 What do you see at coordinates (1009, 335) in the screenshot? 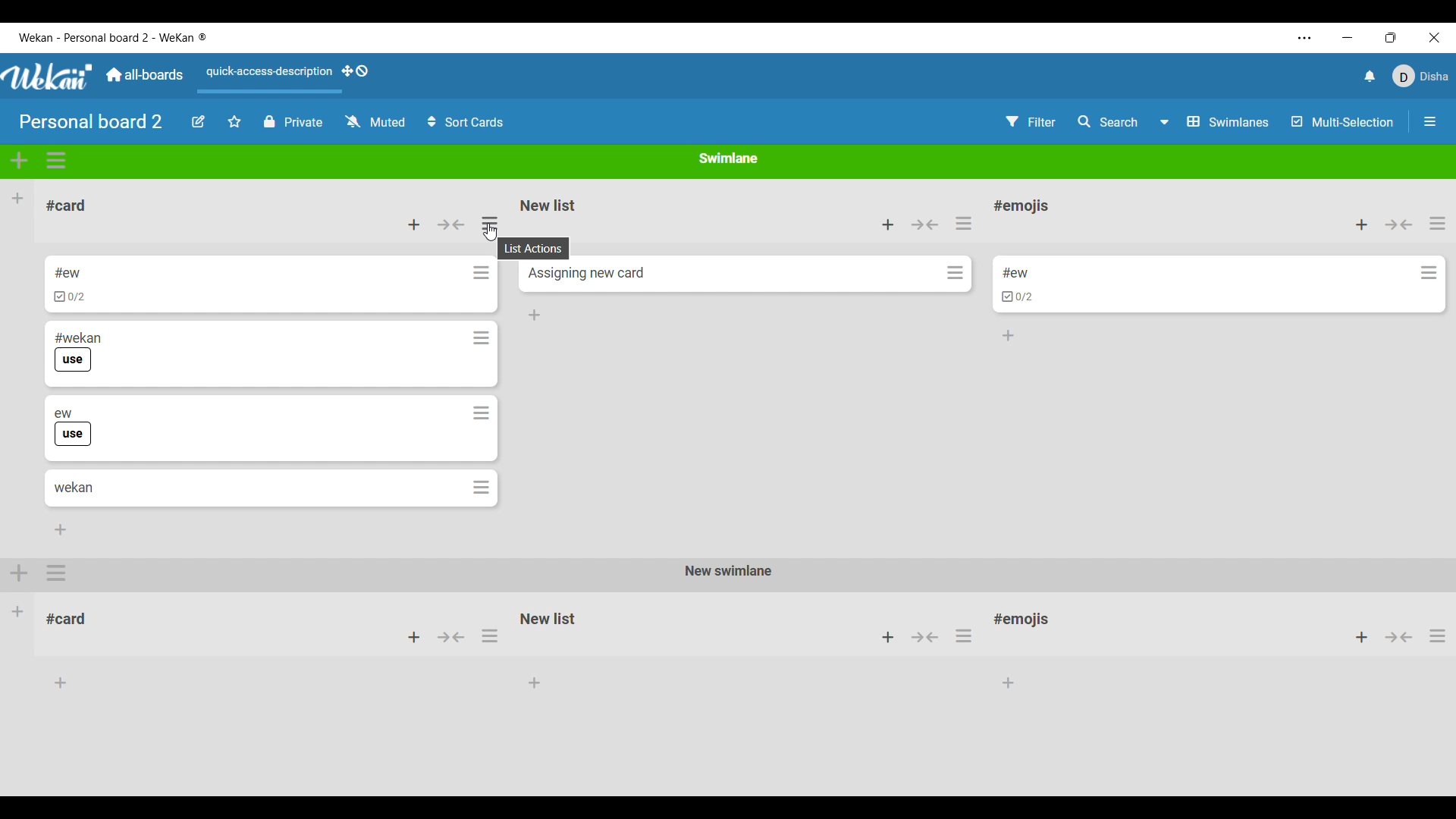
I see `Add card to bottom of the list ` at bounding box center [1009, 335].